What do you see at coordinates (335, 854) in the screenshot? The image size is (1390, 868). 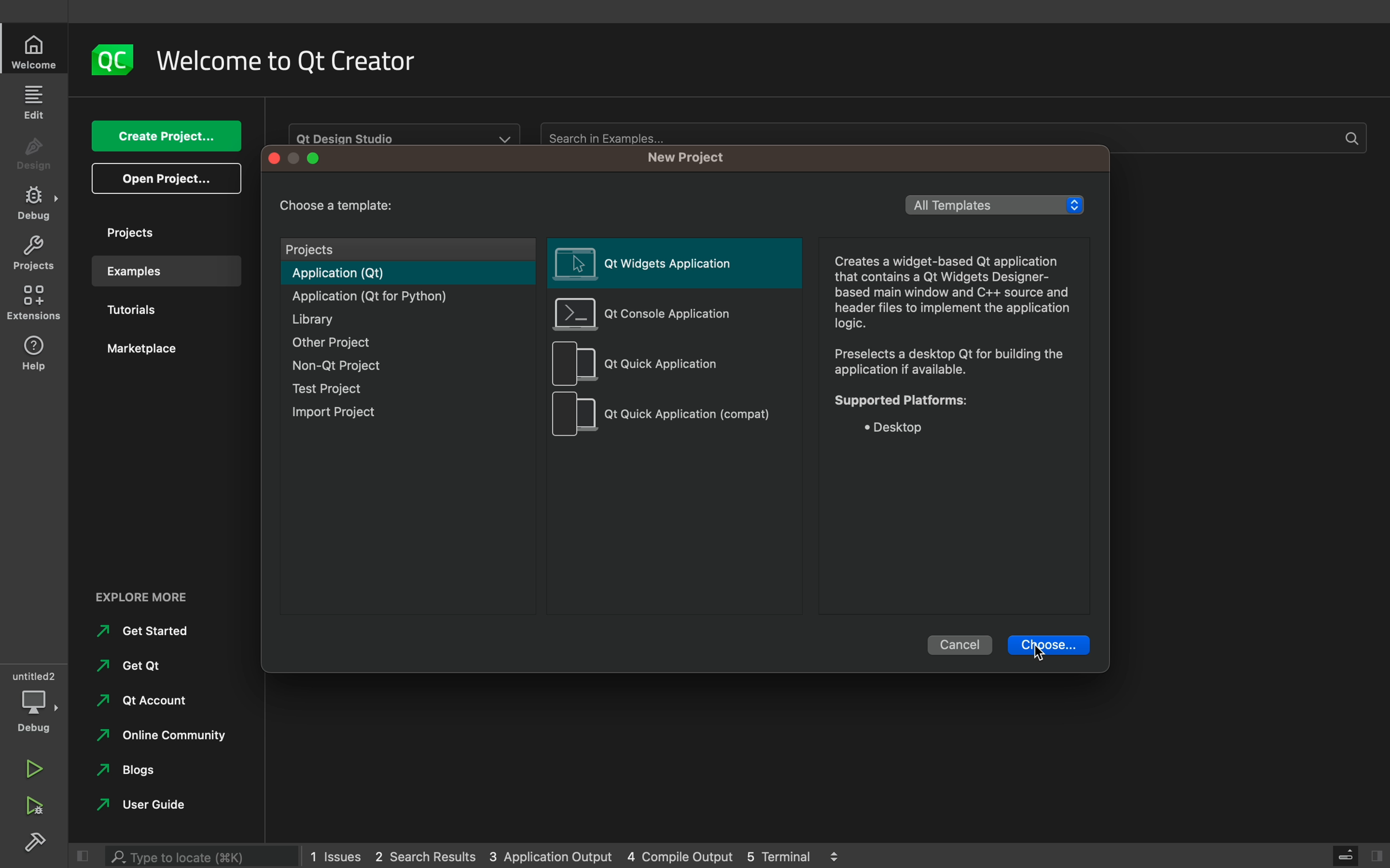 I see `1 issues` at bounding box center [335, 854].